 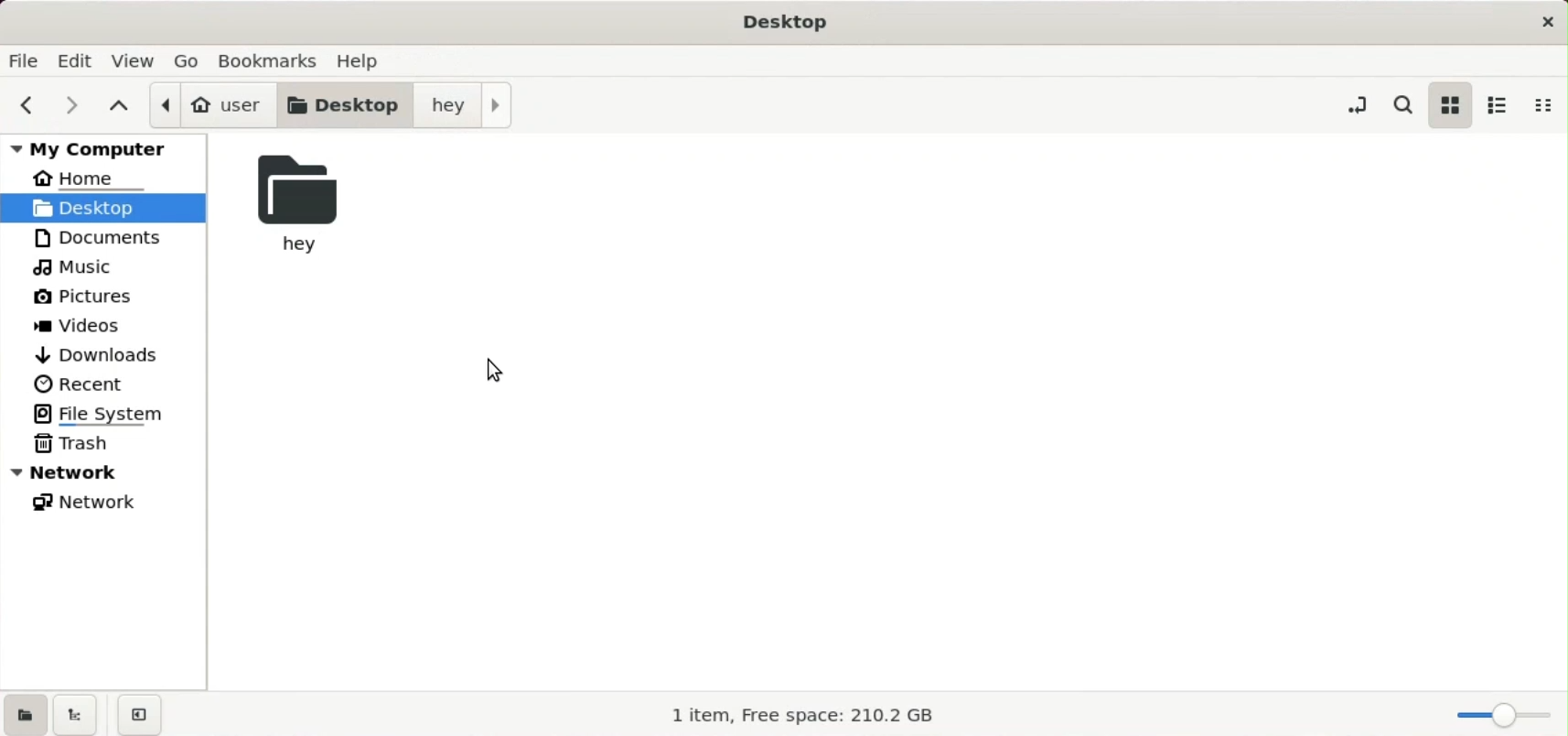 I want to click on Desktop, so click(x=791, y=24).